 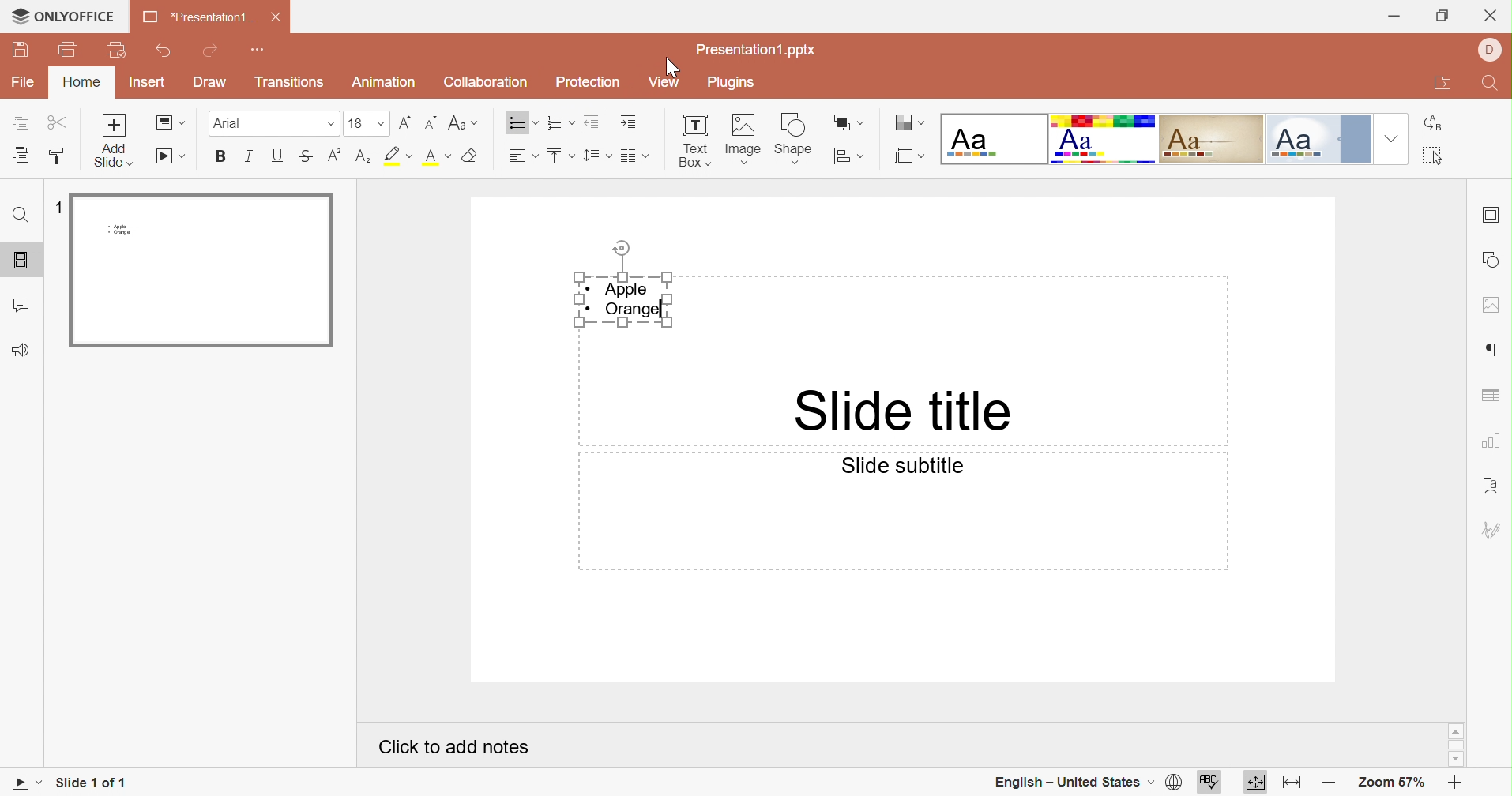 What do you see at coordinates (197, 268) in the screenshot?
I see `Slide` at bounding box center [197, 268].